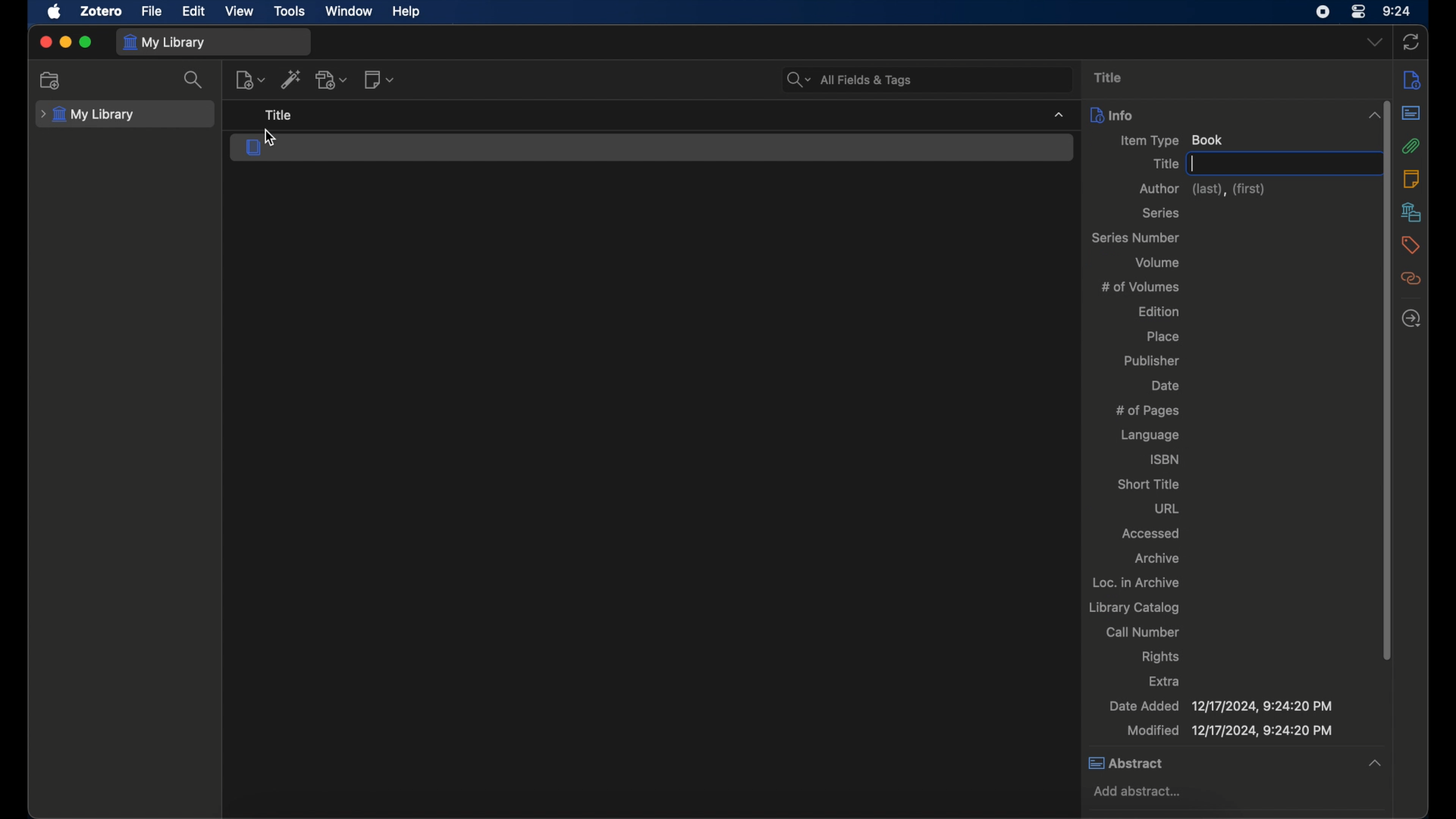 The width and height of the screenshot is (1456, 819). What do you see at coordinates (1150, 435) in the screenshot?
I see `language` at bounding box center [1150, 435].